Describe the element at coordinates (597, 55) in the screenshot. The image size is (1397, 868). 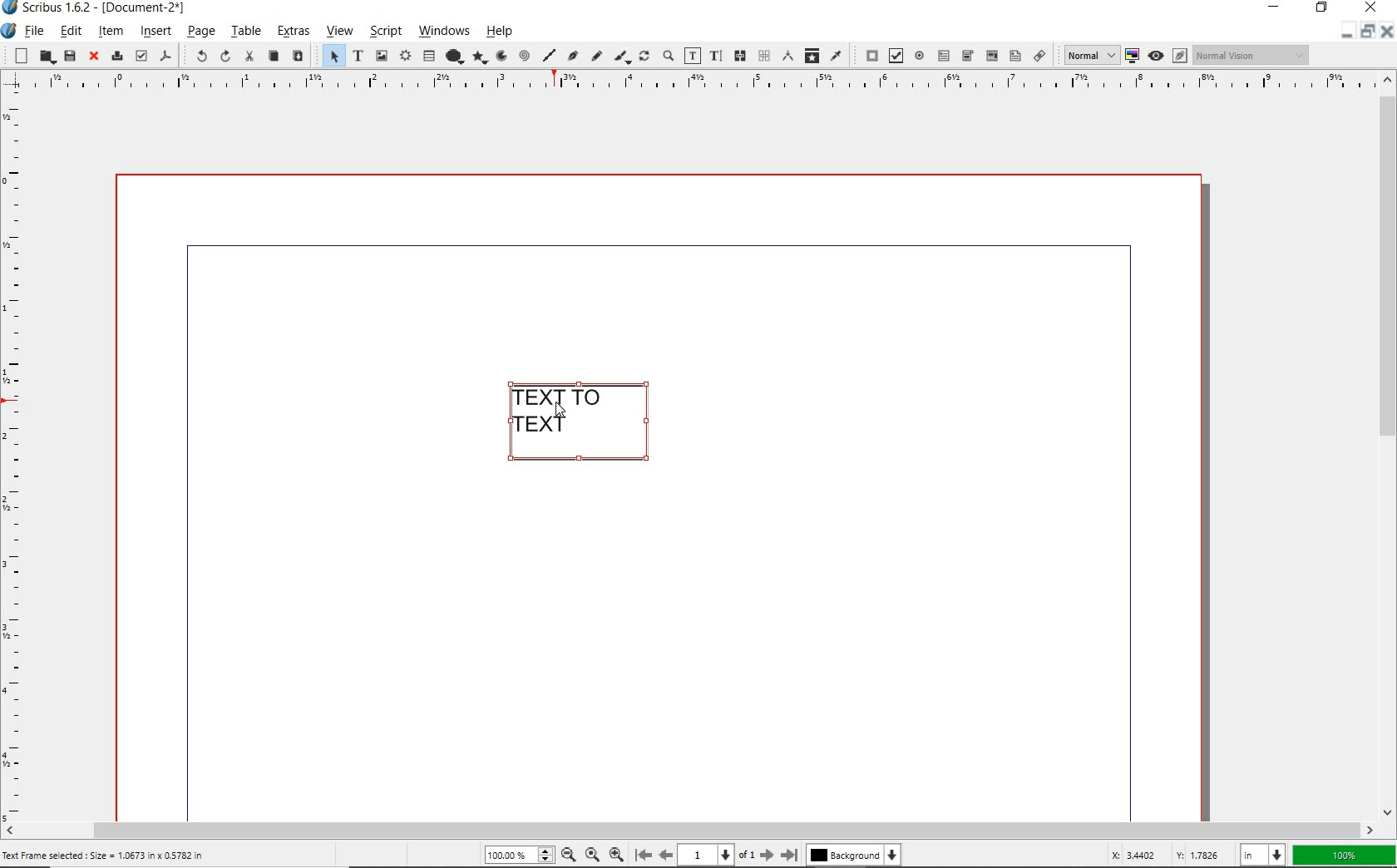
I see `freehand line` at that location.